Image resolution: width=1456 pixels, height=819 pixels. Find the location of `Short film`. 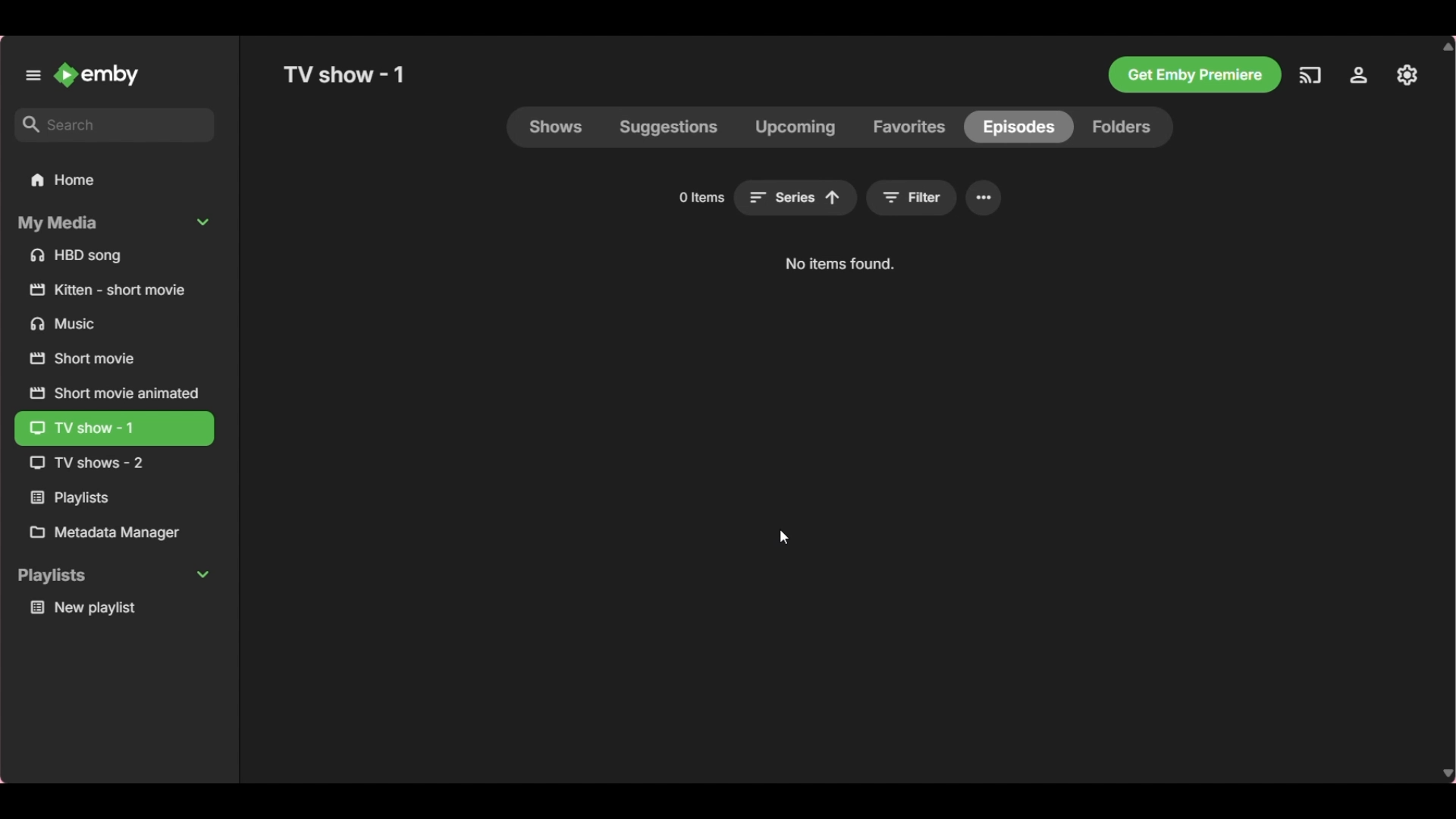

Short film is located at coordinates (113, 359).